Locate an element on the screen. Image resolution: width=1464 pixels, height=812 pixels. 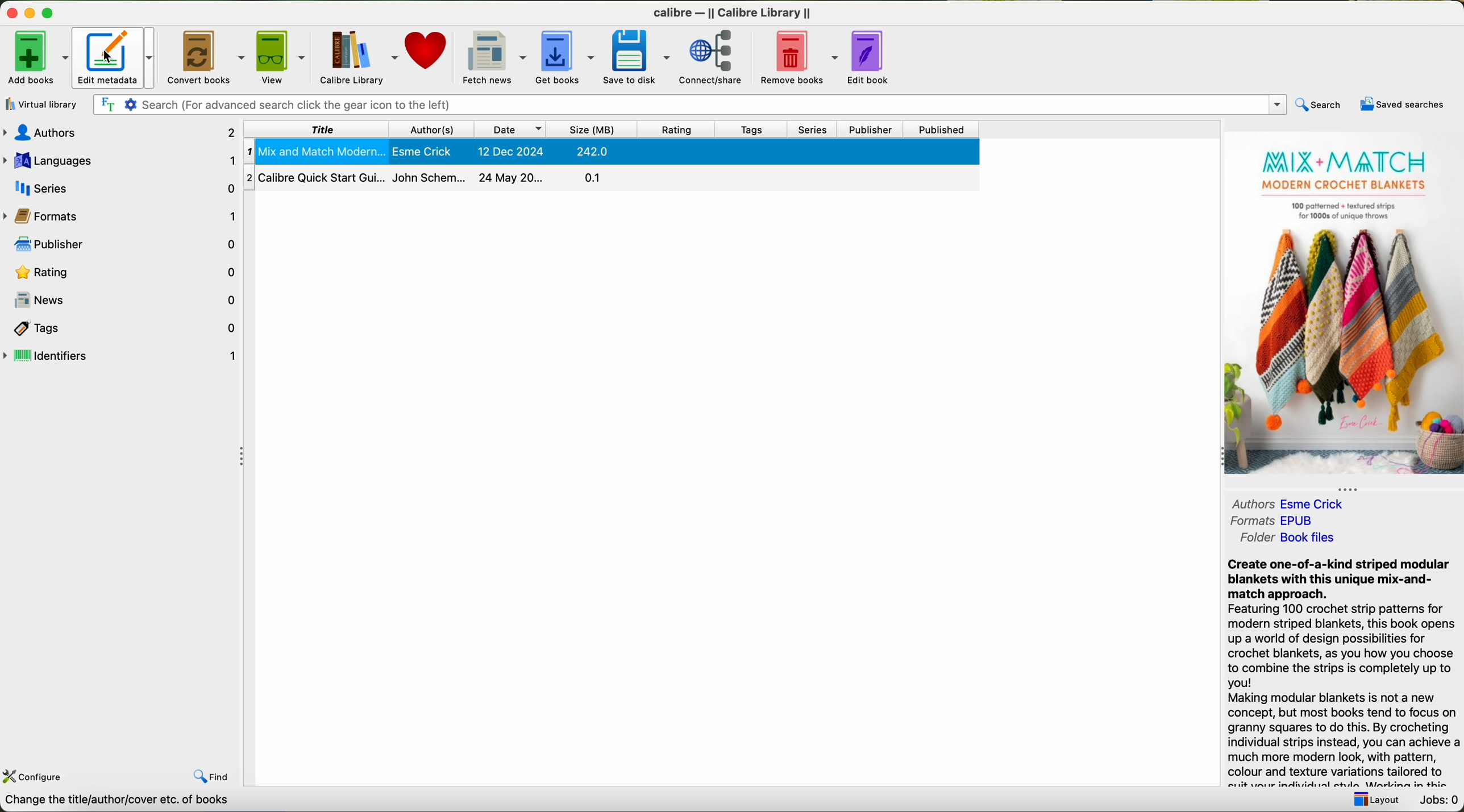
search is located at coordinates (1317, 105).